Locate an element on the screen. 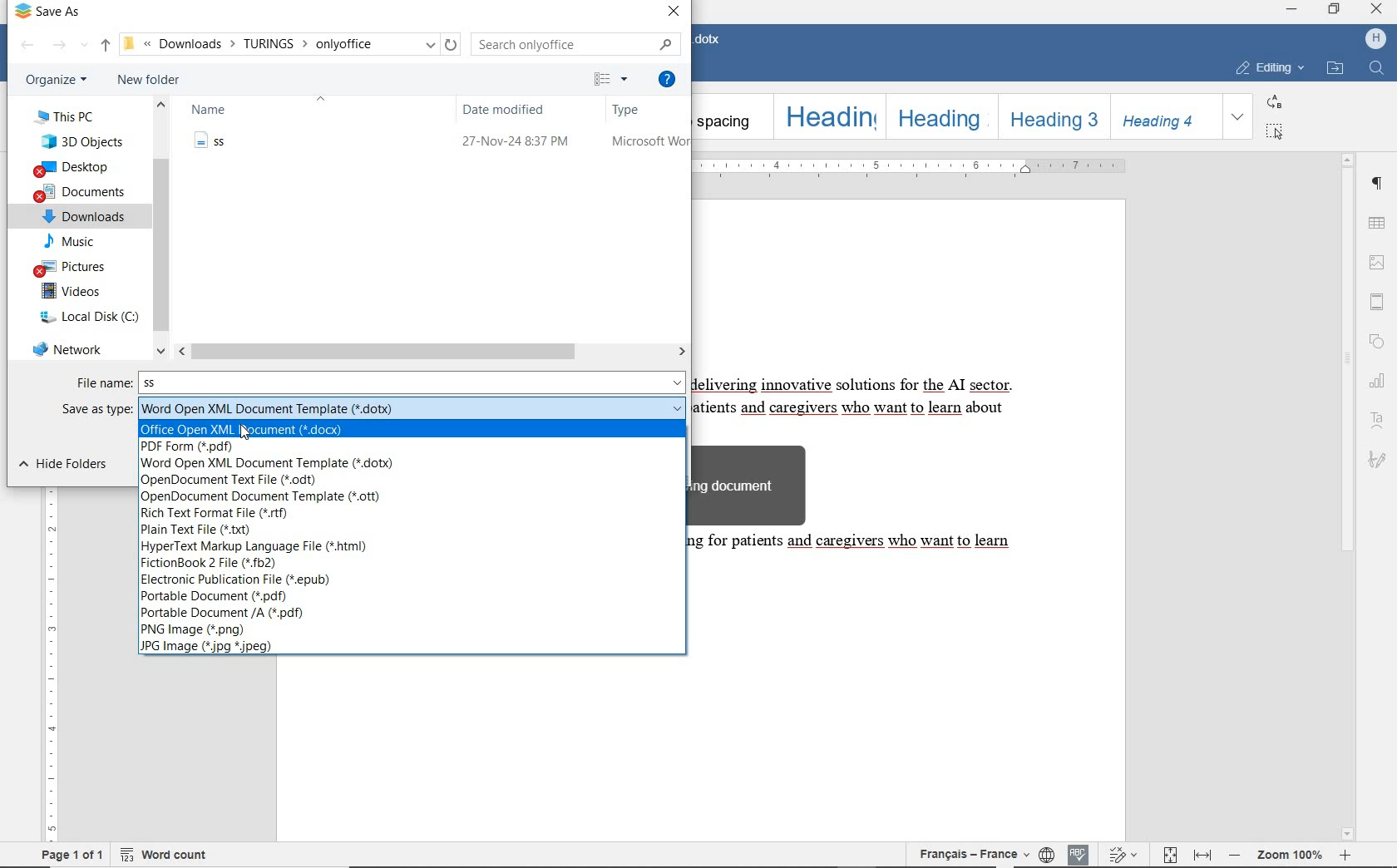  SCROLL BAR is located at coordinates (161, 228).